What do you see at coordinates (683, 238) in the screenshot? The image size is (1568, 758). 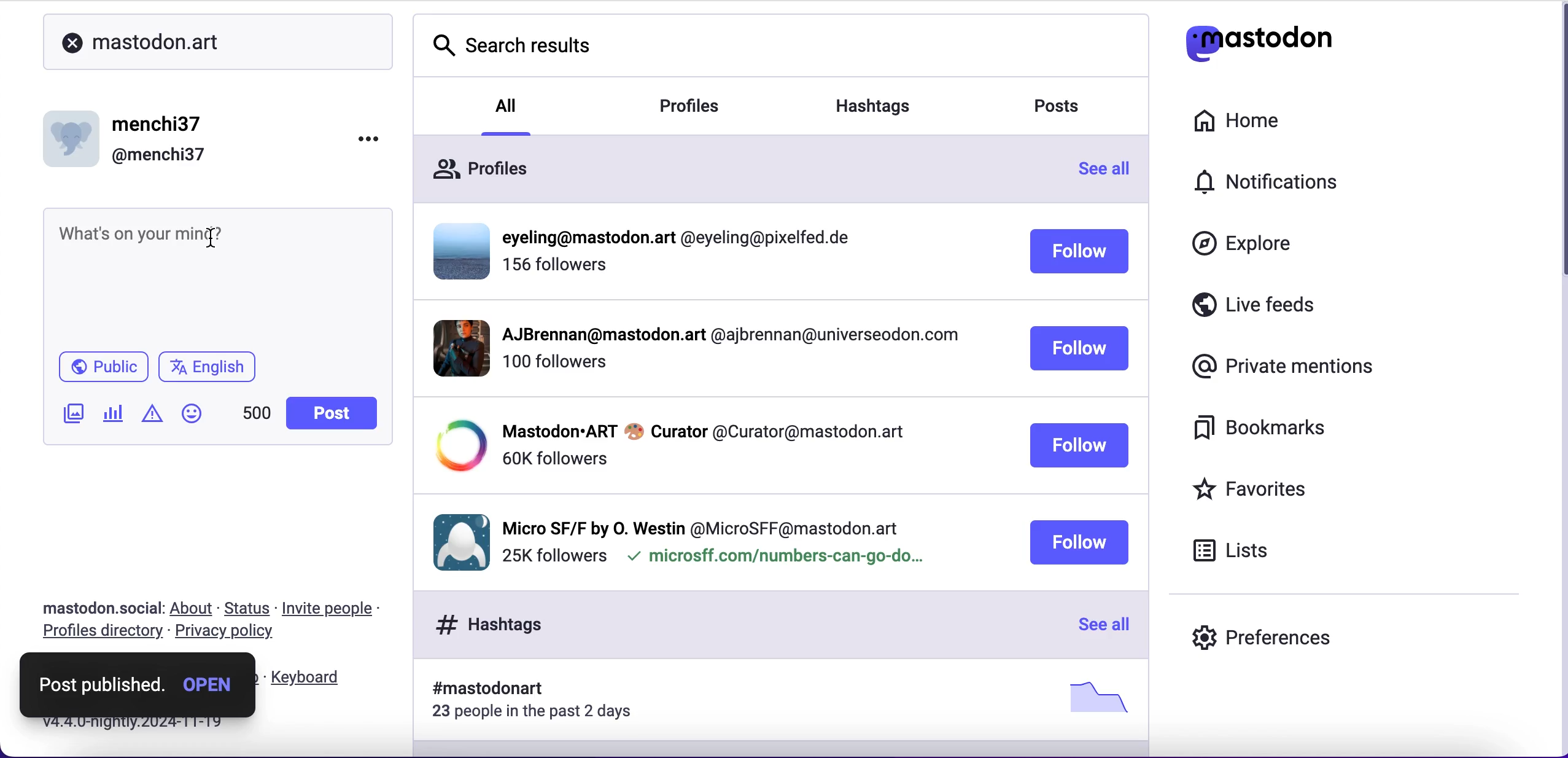 I see `profiile` at bounding box center [683, 238].